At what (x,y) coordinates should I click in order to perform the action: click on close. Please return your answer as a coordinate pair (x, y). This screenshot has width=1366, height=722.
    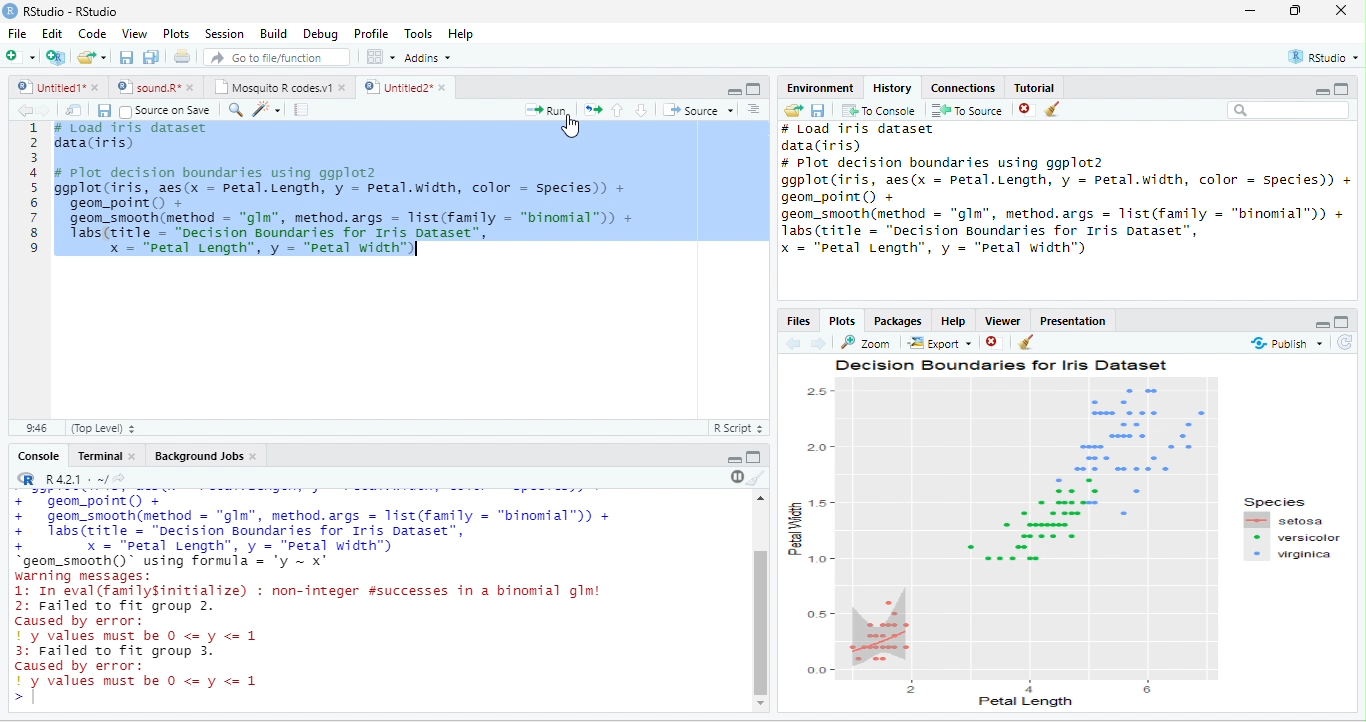
    Looking at the image, I should click on (991, 342).